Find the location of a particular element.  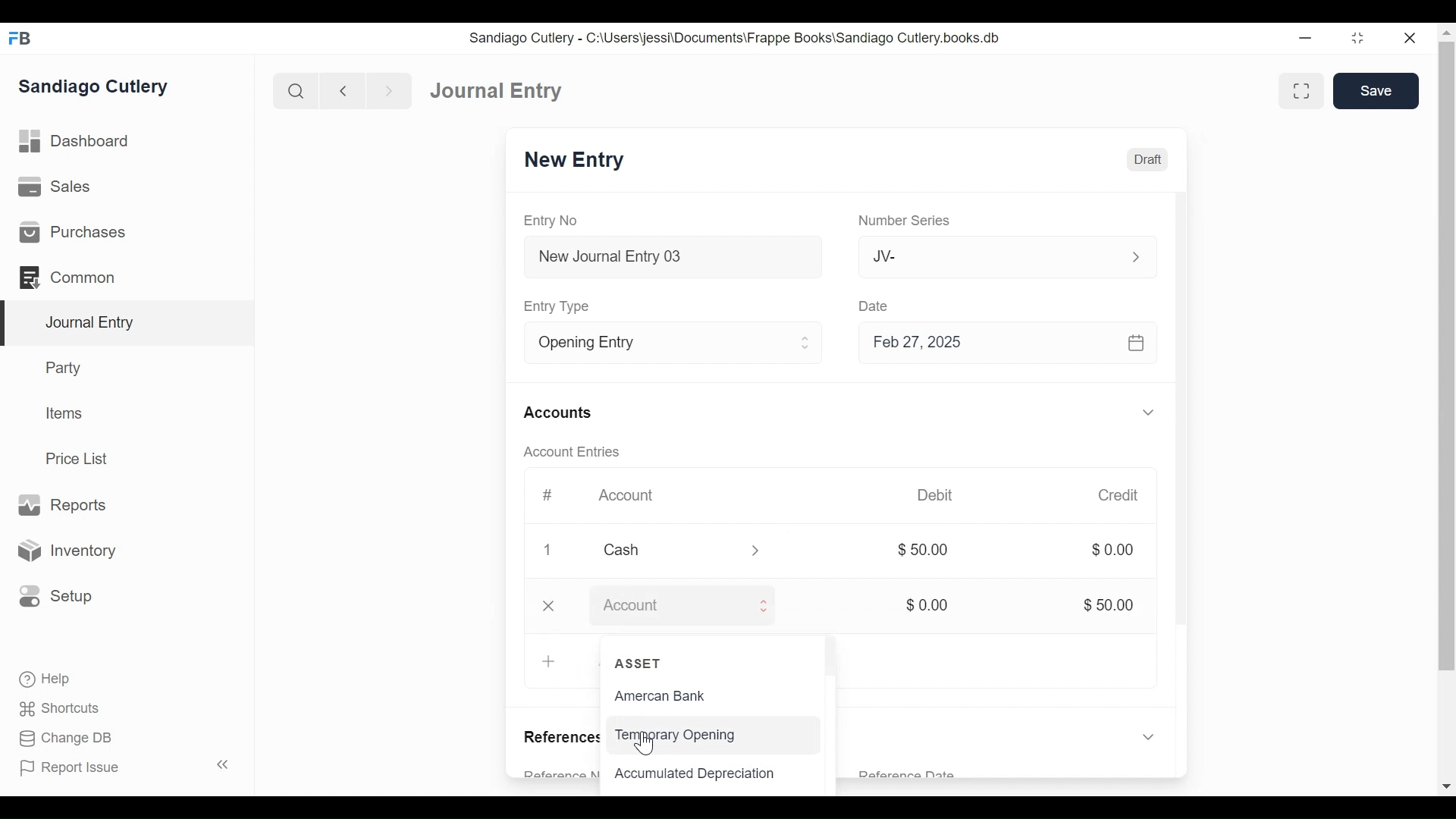

Navigate forward is located at coordinates (388, 91).